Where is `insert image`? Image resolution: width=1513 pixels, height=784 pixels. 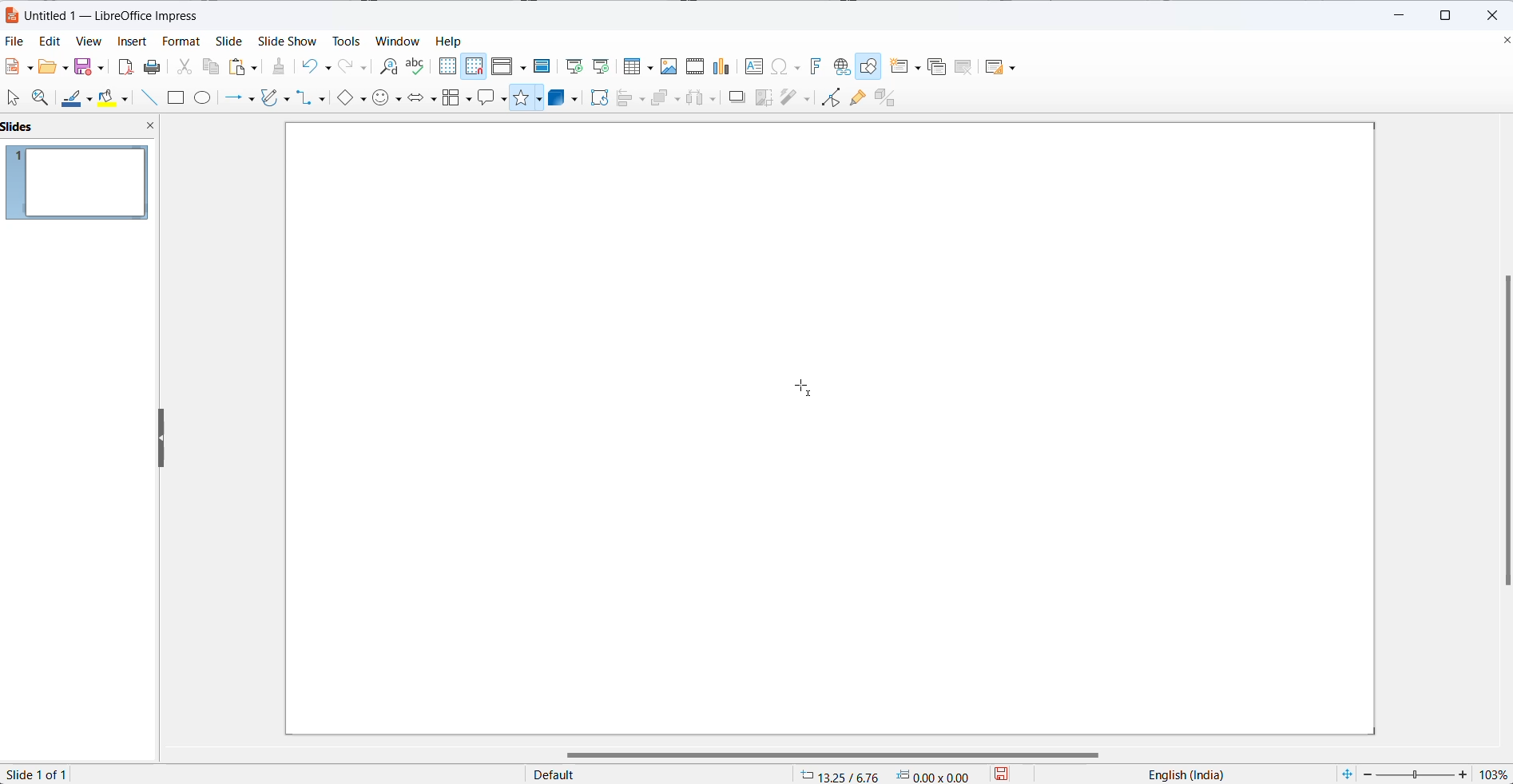
insert image is located at coordinates (666, 67).